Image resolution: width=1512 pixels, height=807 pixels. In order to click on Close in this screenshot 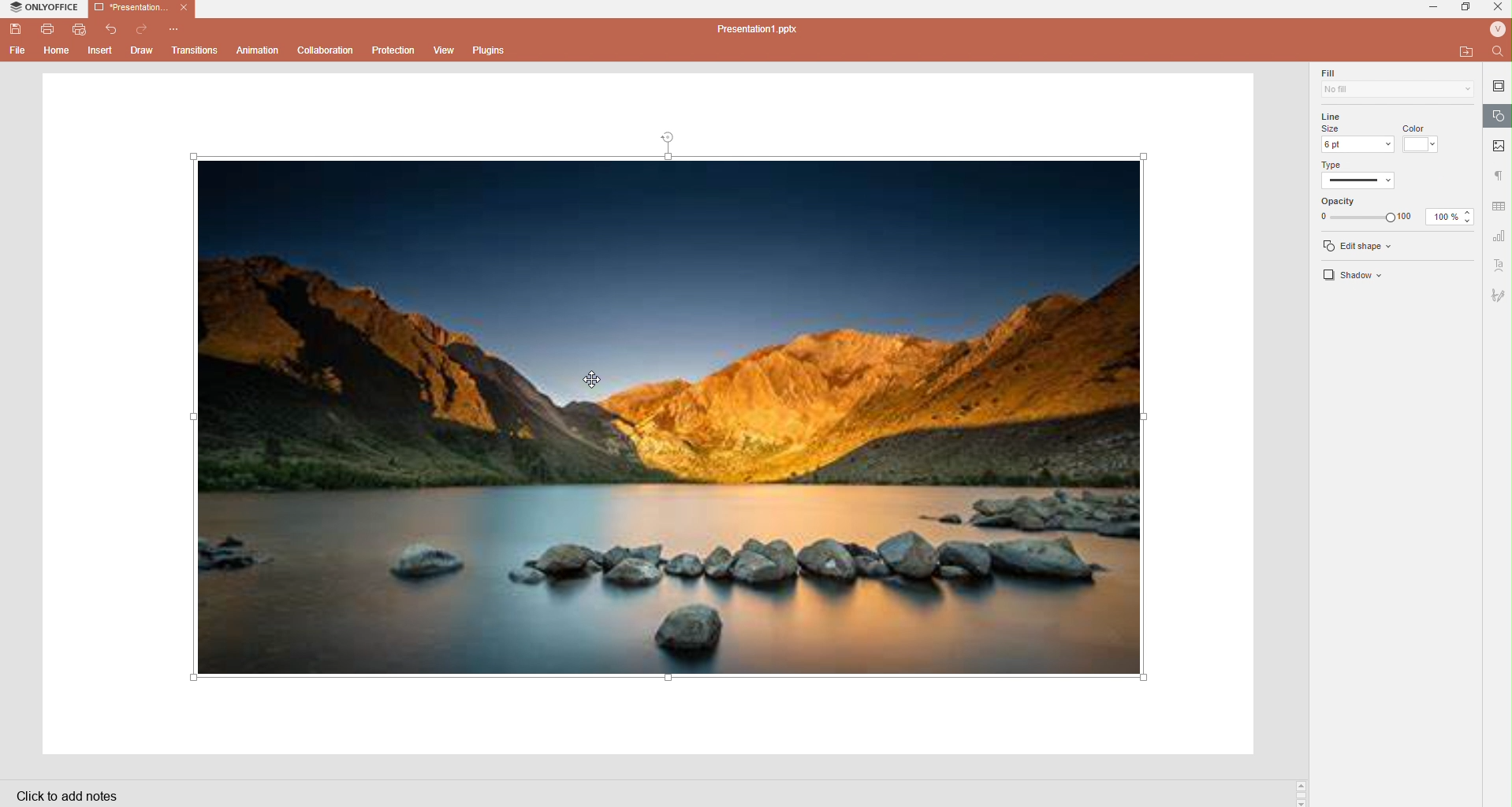, I will do `click(184, 9)`.